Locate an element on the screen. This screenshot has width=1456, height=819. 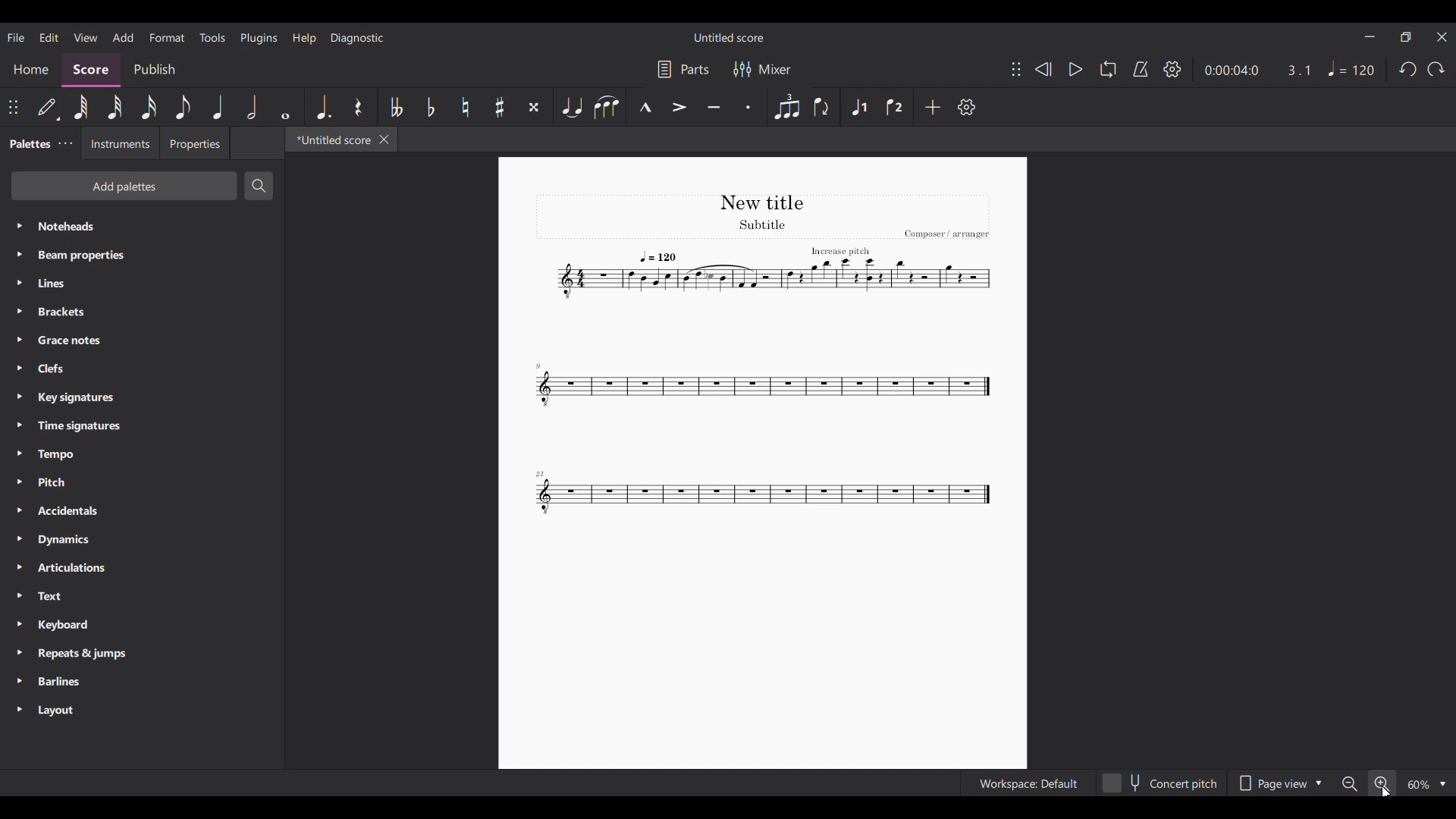
64th note is located at coordinates (82, 108).